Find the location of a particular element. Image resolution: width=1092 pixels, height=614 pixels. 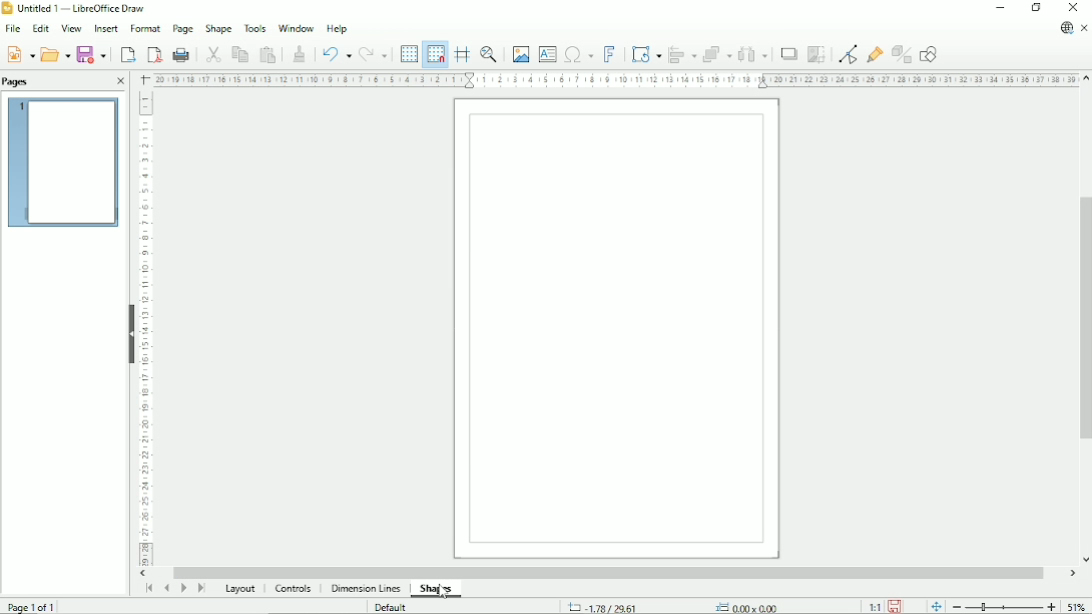

Help is located at coordinates (336, 28).